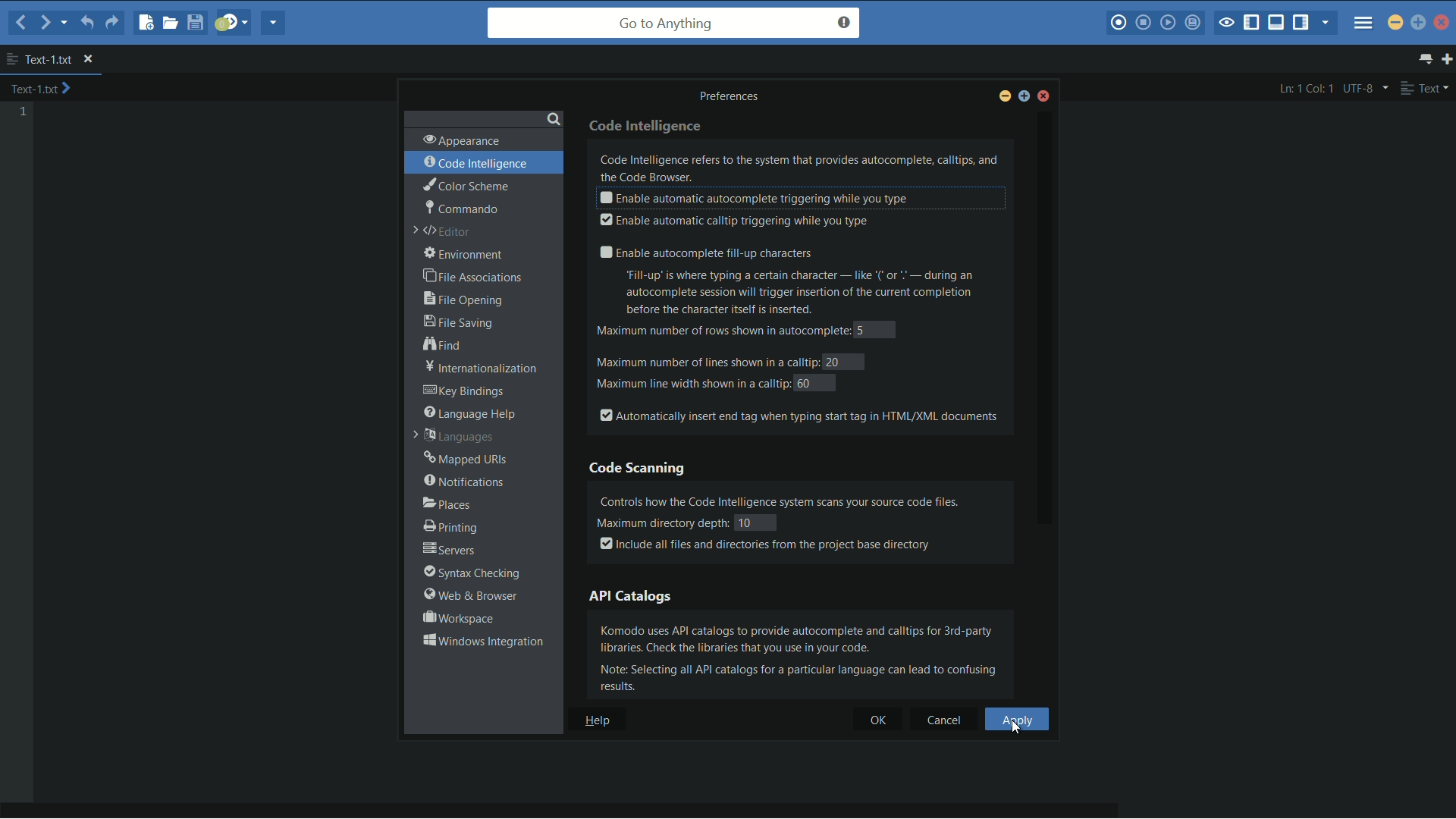  Describe the element at coordinates (799, 415) in the screenshot. I see `automatically insert end tag when typing start tag in html/xml documents` at that location.